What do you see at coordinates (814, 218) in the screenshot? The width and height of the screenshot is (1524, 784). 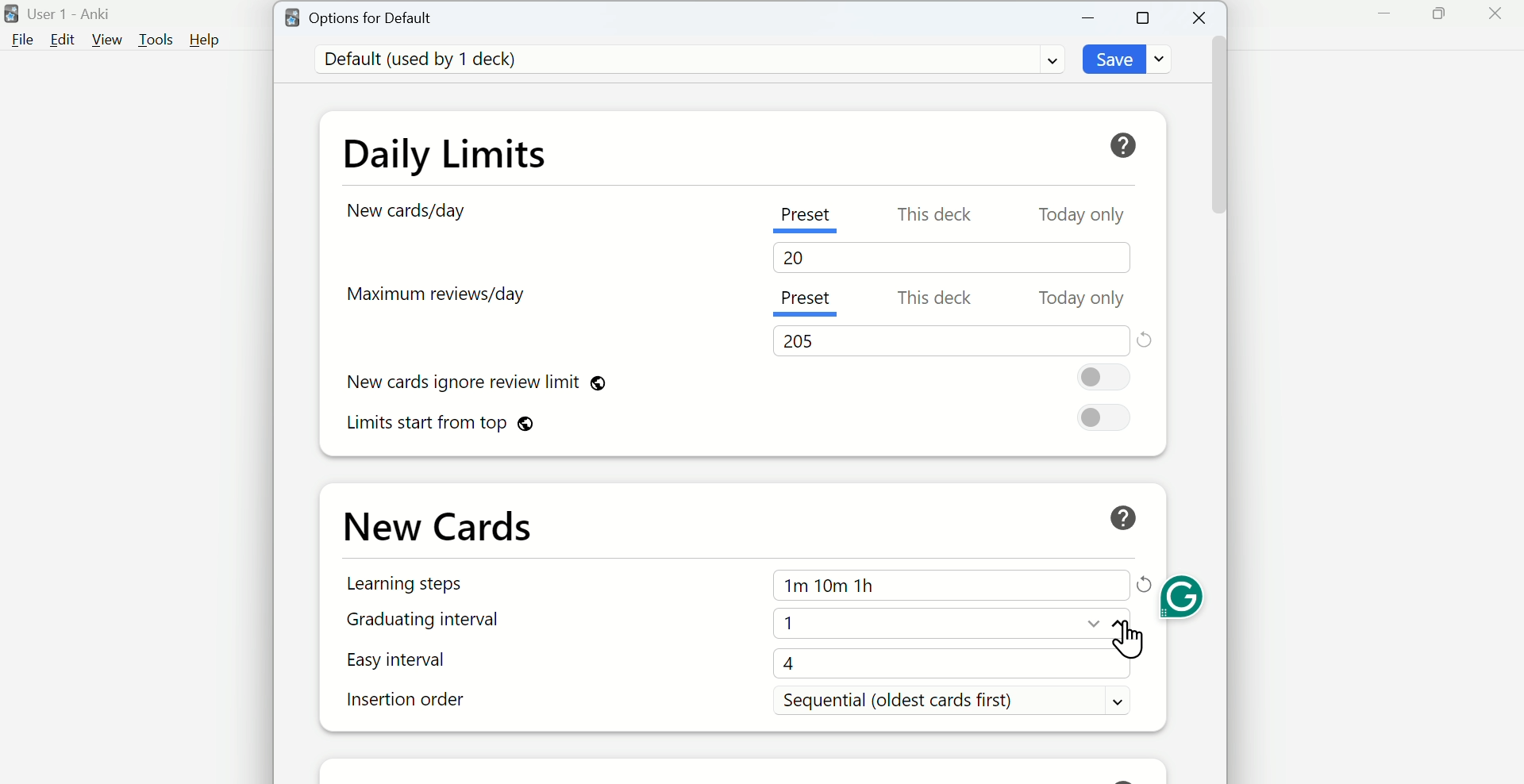 I see `Preset` at bounding box center [814, 218].